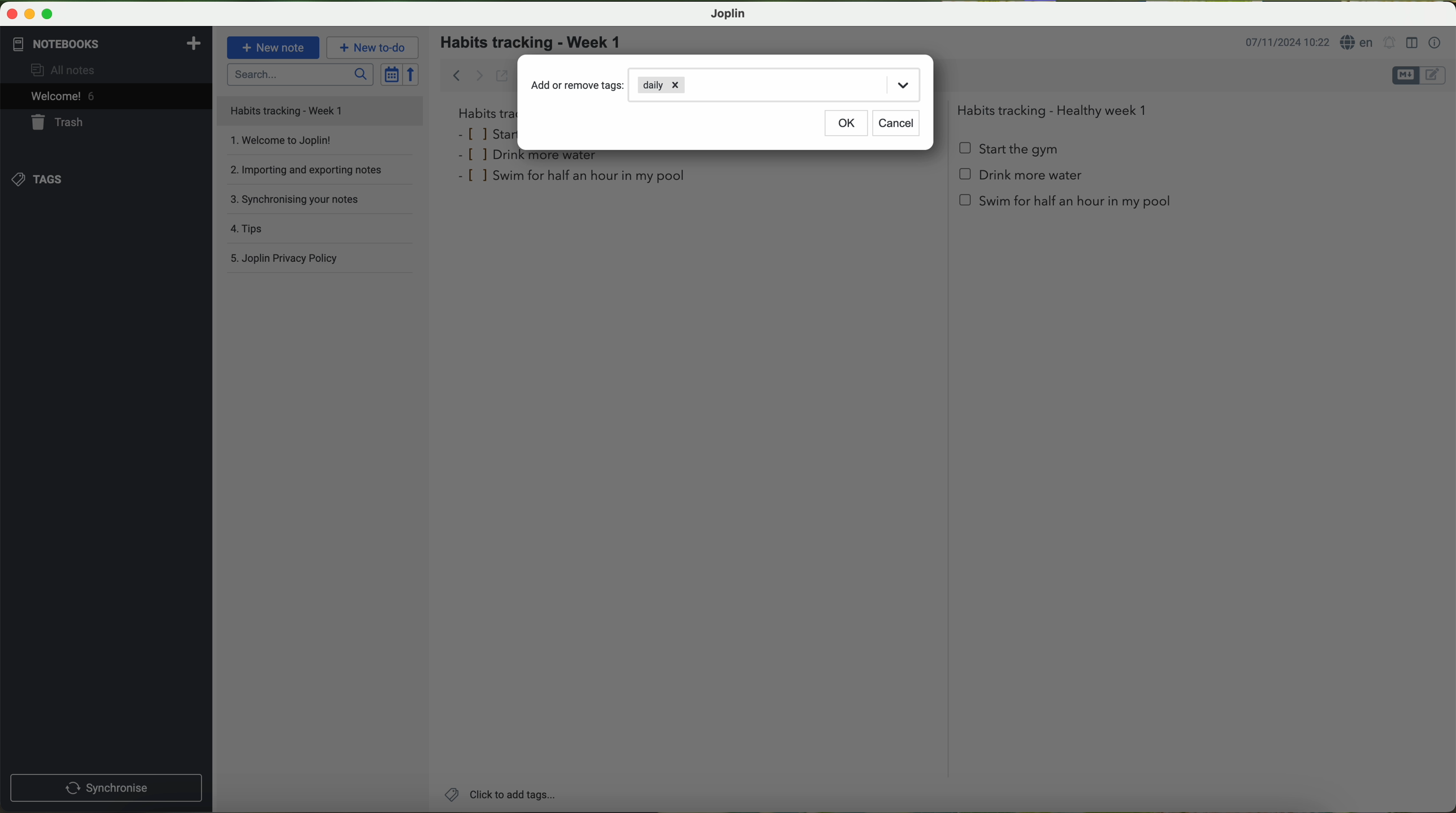 The image size is (1456, 813). Describe the element at coordinates (391, 74) in the screenshot. I see `toggle sort order field` at that location.